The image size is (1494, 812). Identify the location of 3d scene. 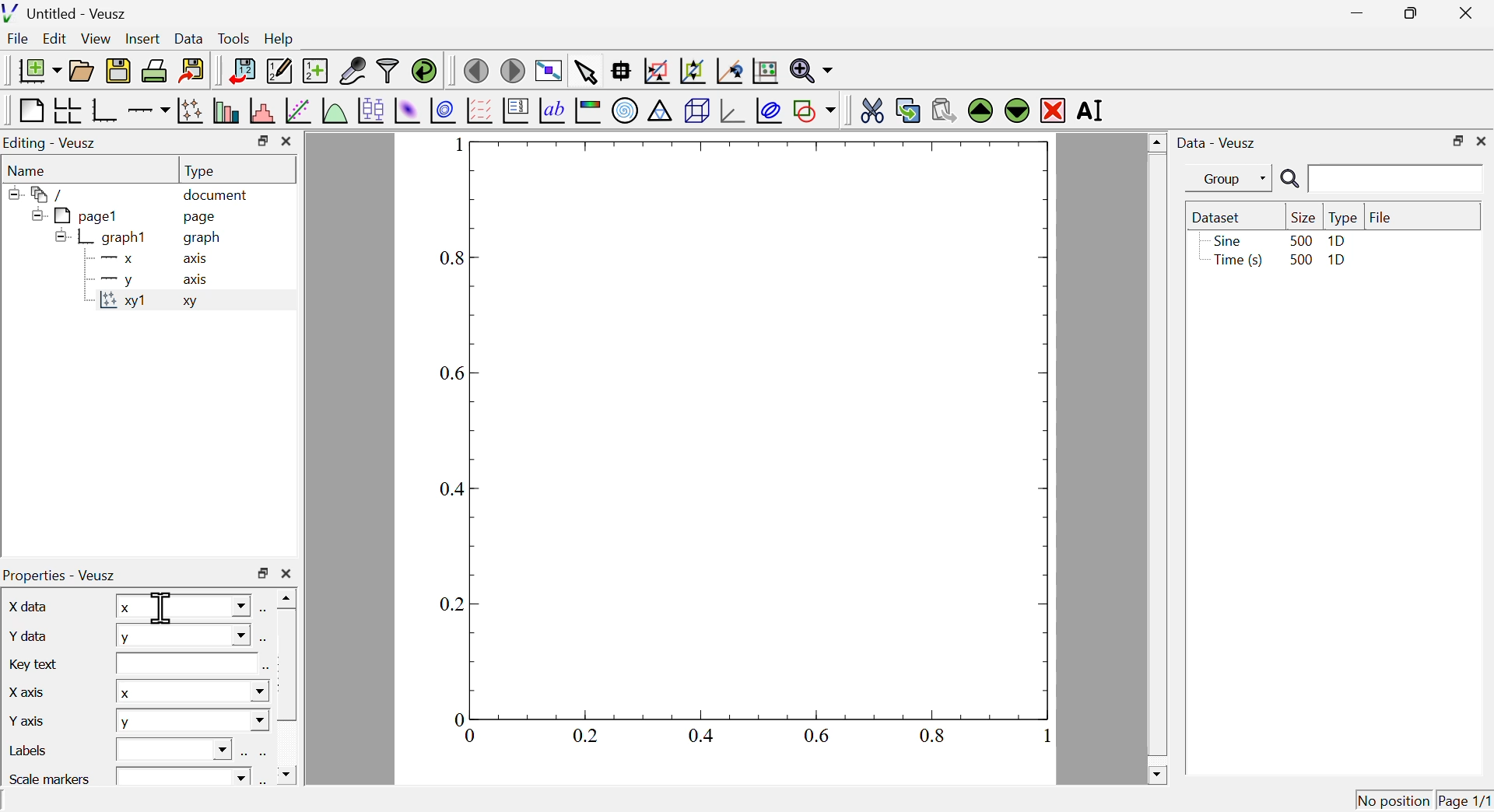
(697, 112).